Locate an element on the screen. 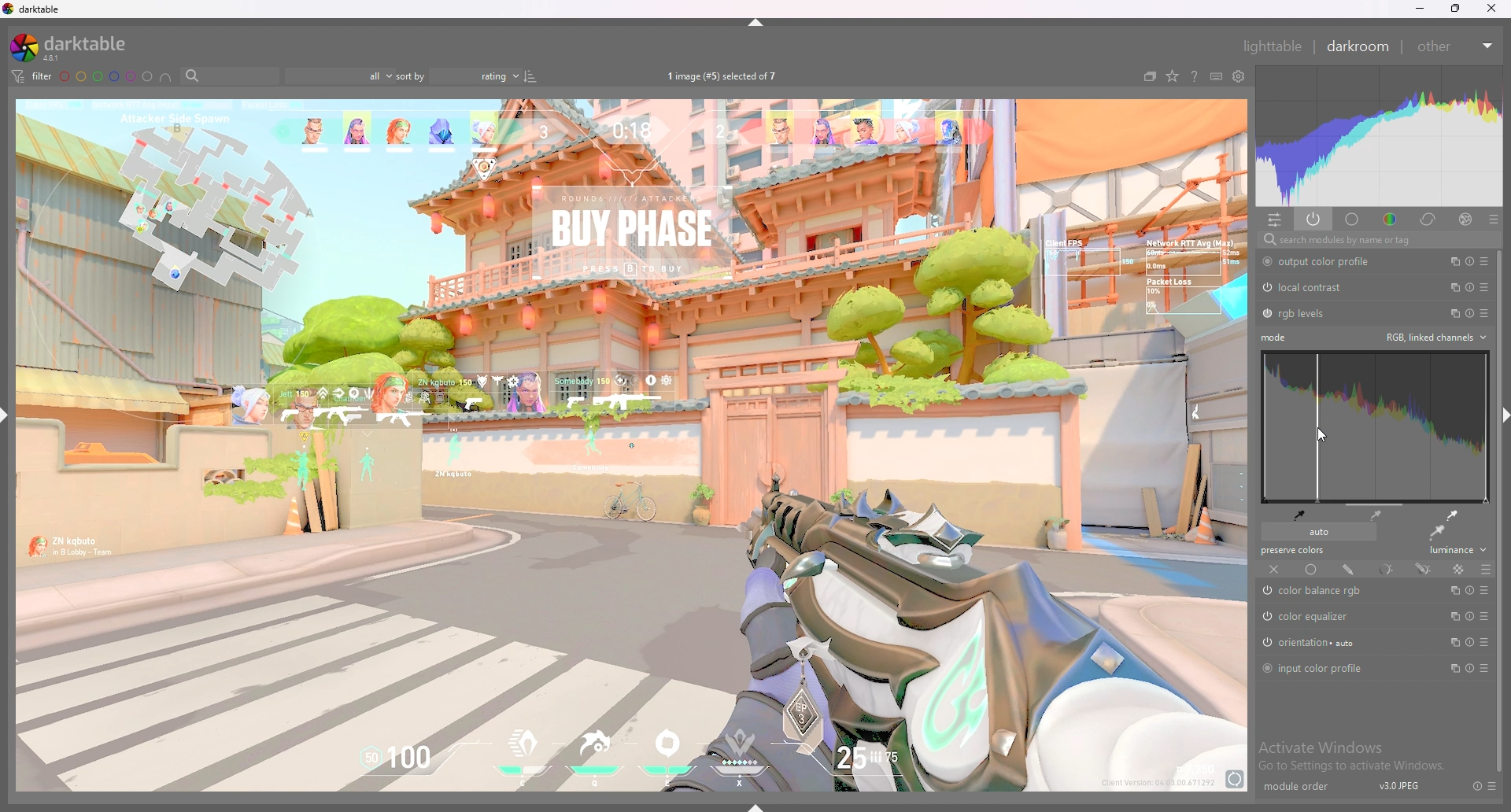 Image resolution: width=1511 pixels, height=812 pixels. other is located at coordinates (1453, 46).